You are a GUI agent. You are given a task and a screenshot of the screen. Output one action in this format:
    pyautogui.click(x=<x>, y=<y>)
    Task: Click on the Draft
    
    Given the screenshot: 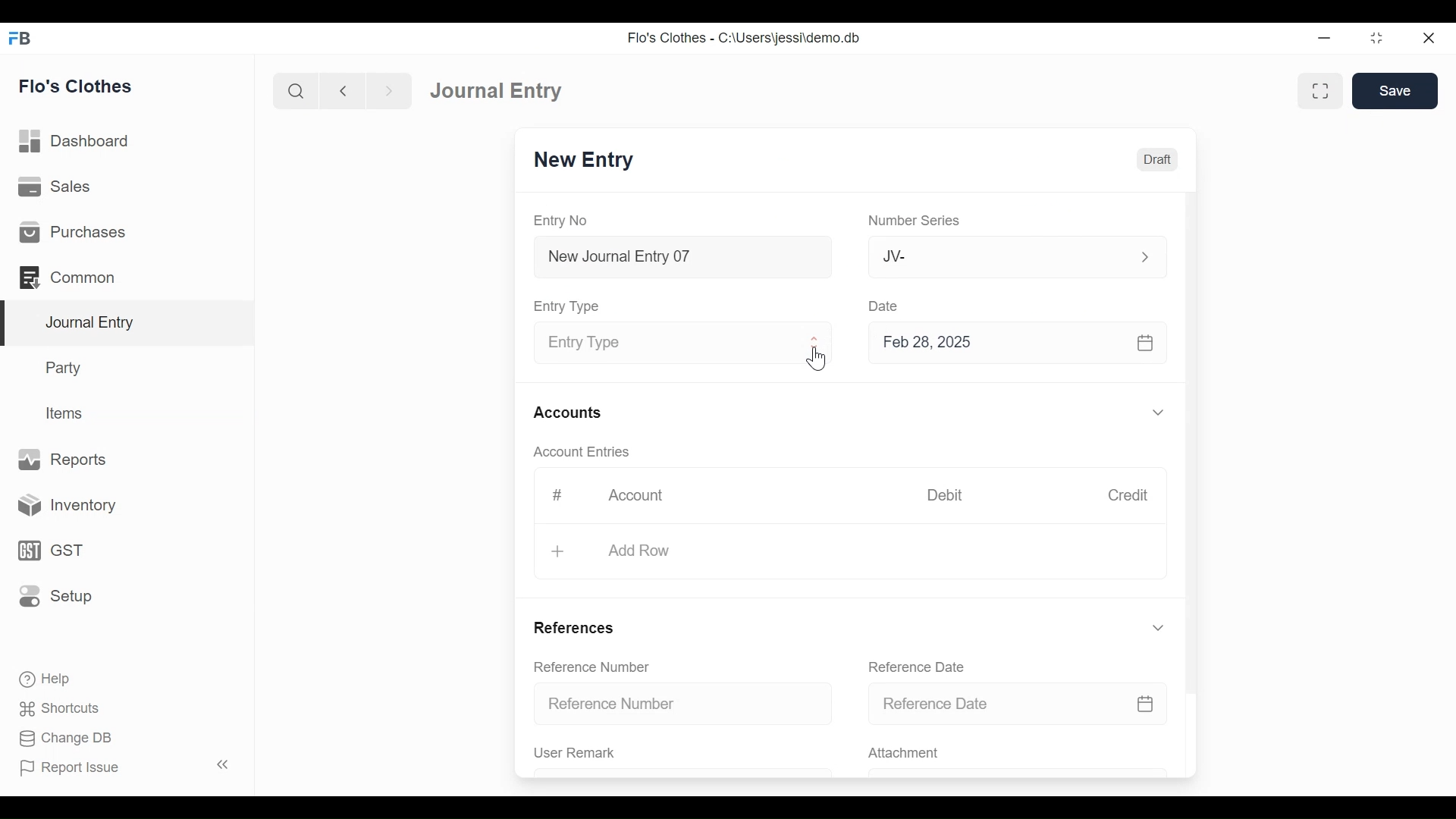 What is the action you would take?
    pyautogui.click(x=1154, y=160)
    